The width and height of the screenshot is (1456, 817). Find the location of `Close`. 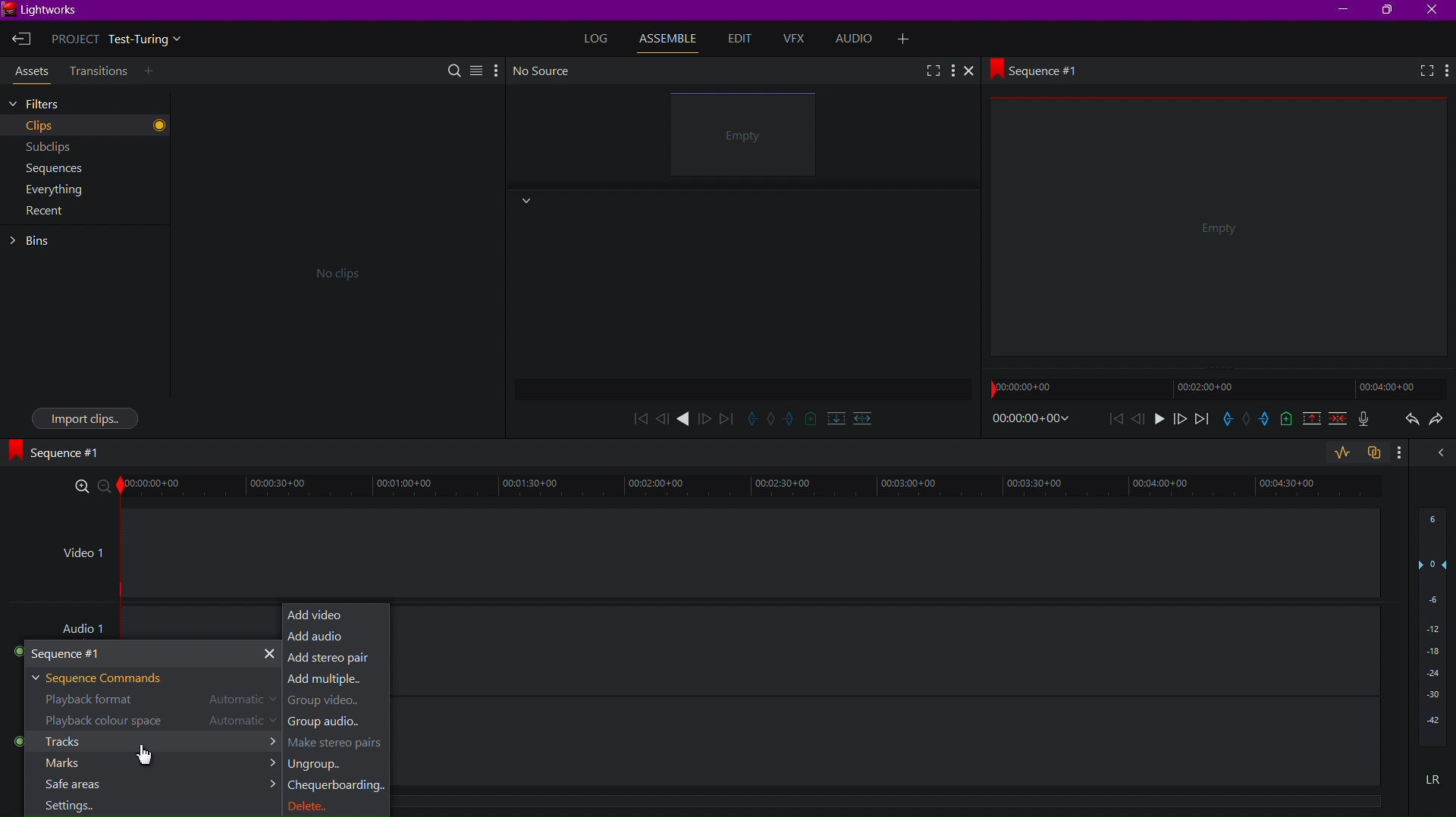

Close is located at coordinates (974, 72).